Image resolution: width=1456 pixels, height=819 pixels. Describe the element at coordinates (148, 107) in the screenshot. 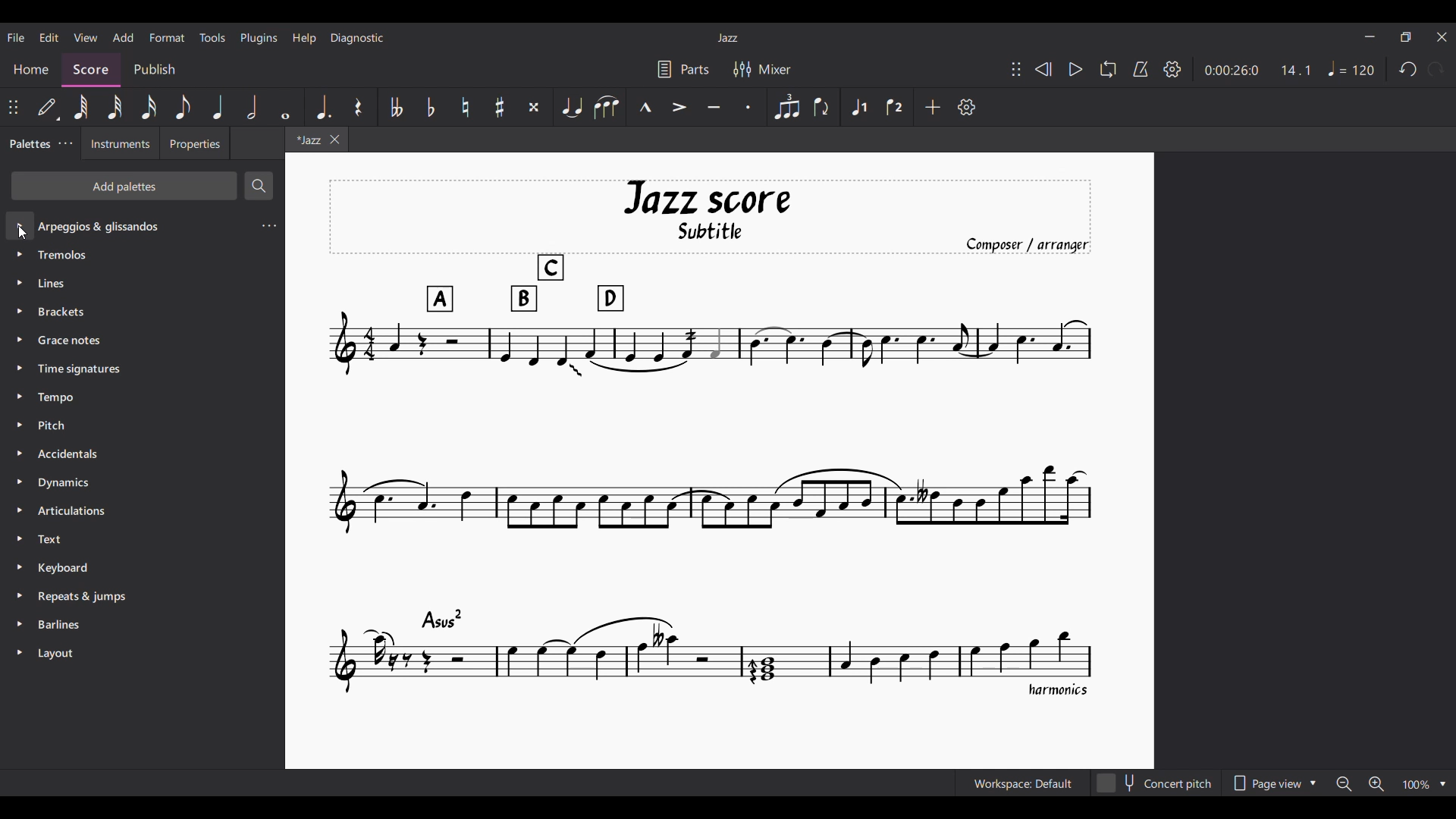

I see `16th note` at that location.